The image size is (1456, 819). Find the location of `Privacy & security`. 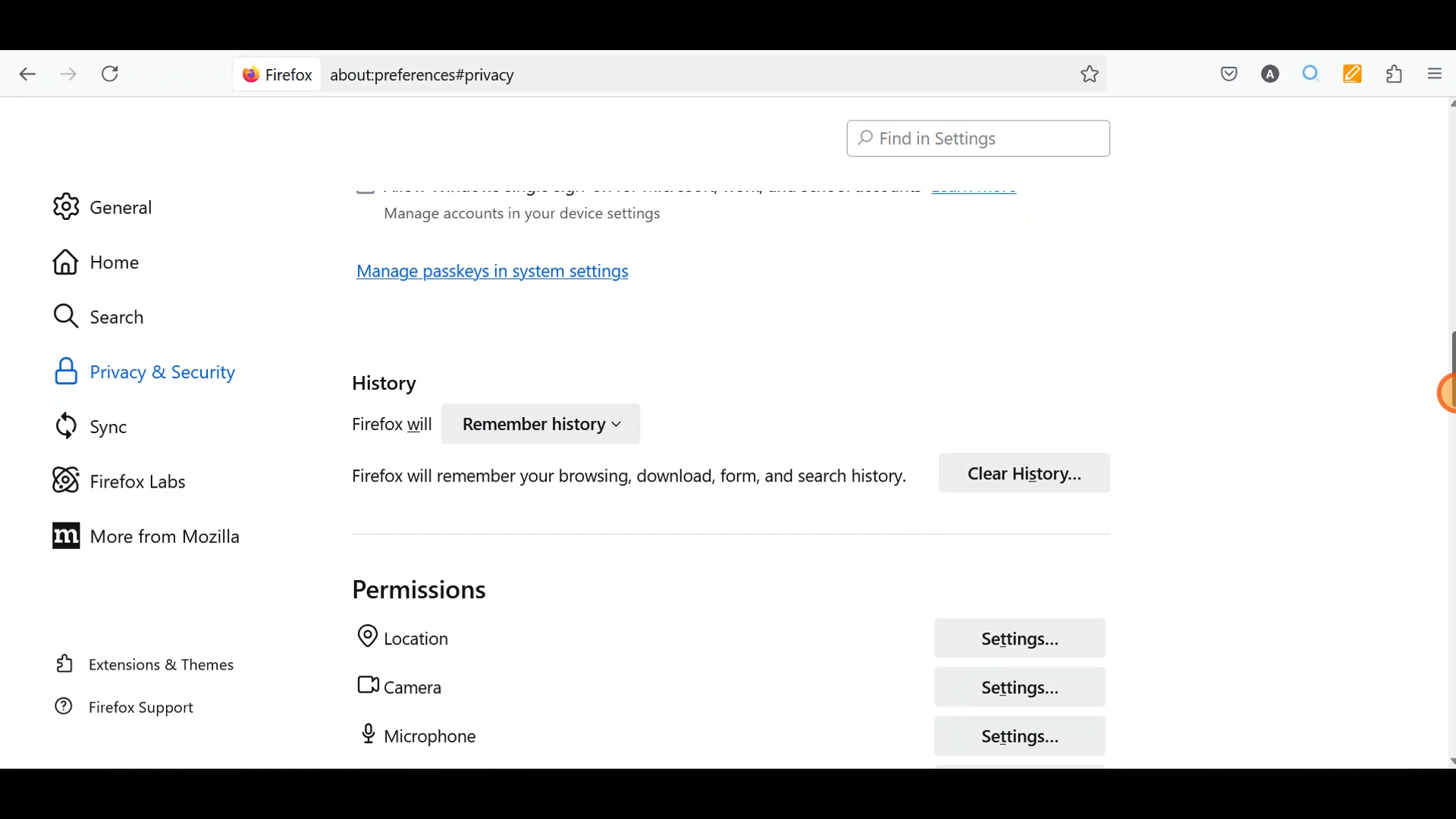

Privacy & security is located at coordinates (184, 370).